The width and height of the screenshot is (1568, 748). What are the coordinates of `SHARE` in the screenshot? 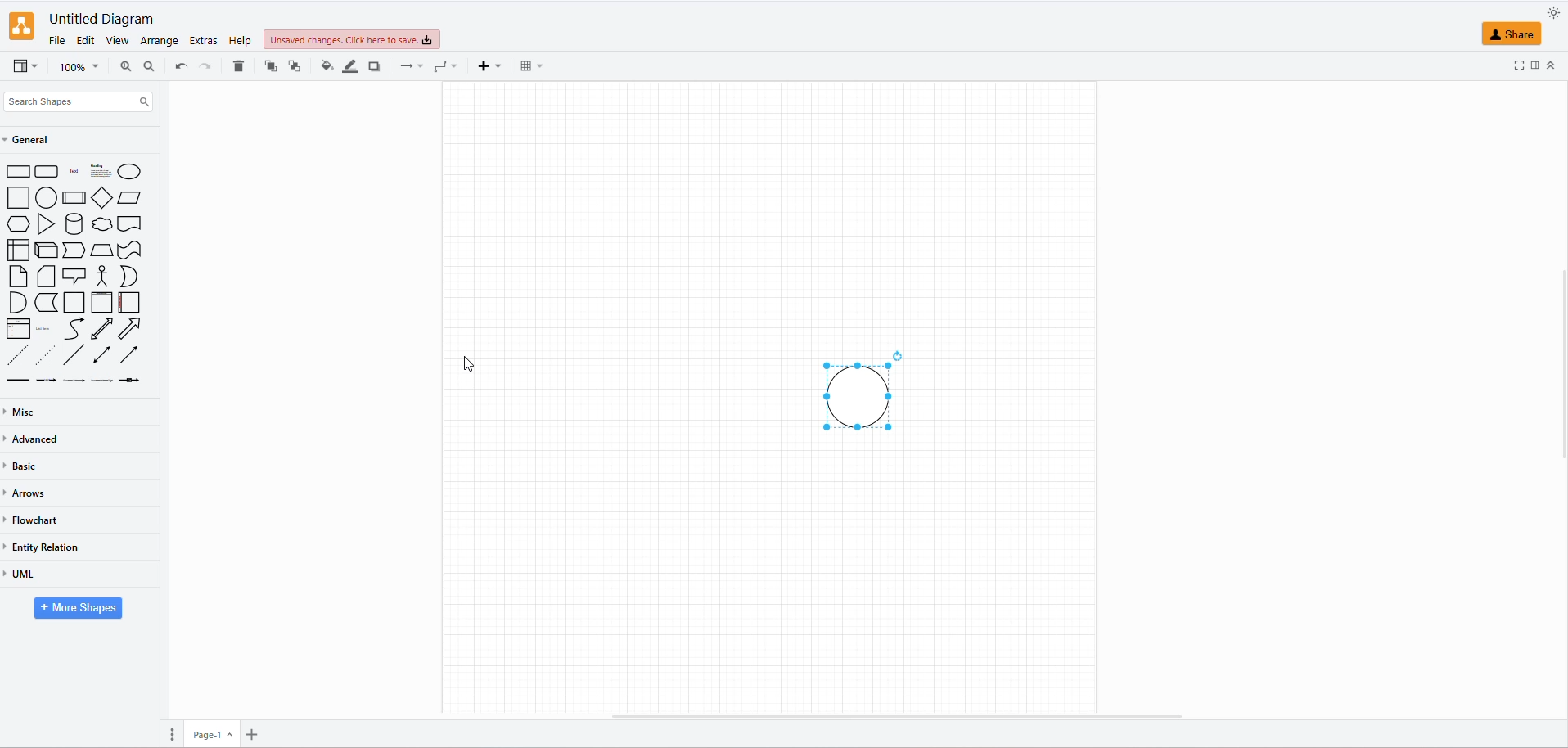 It's located at (1513, 34).